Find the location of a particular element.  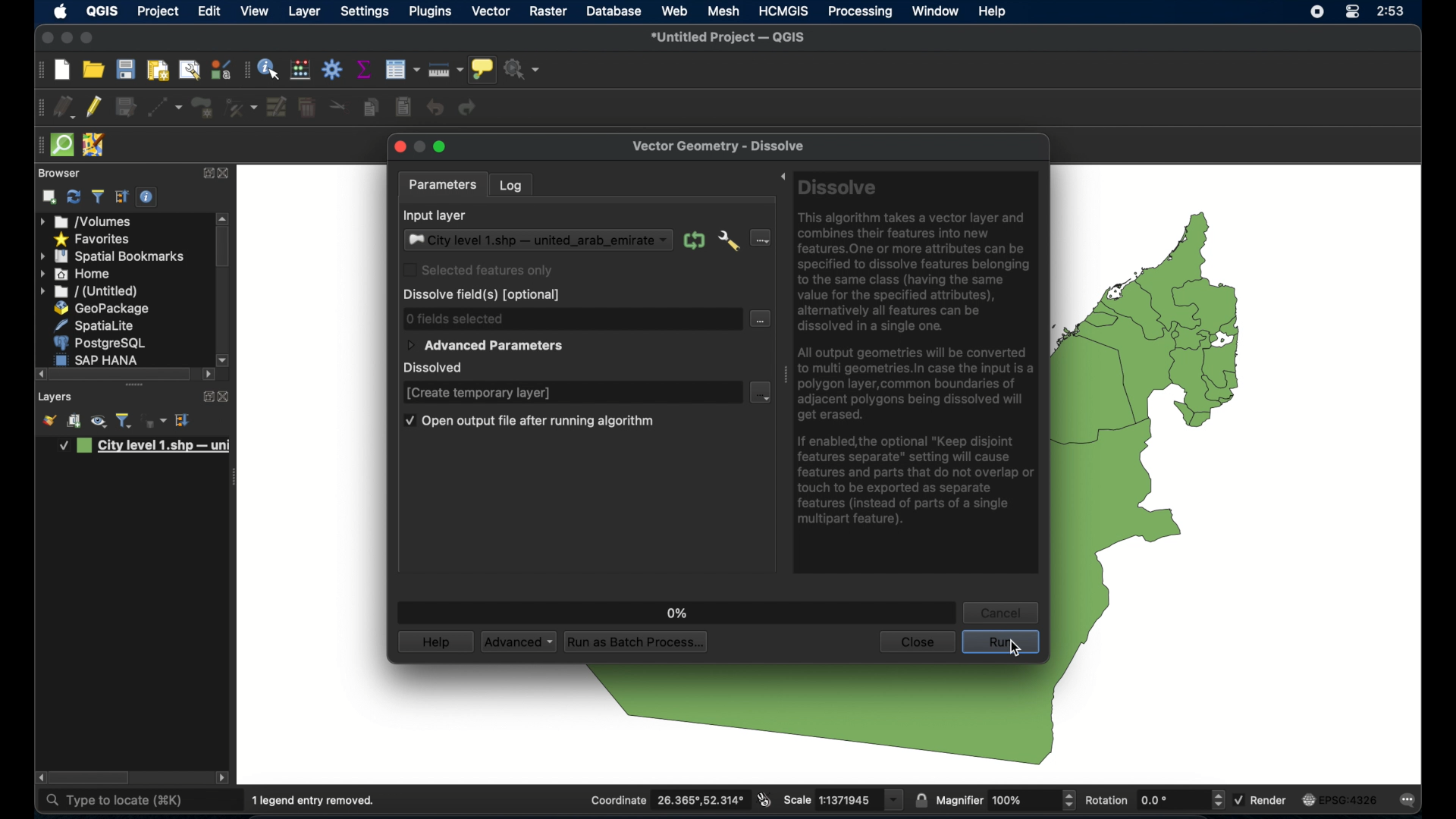

settings is located at coordinates (366, 12).